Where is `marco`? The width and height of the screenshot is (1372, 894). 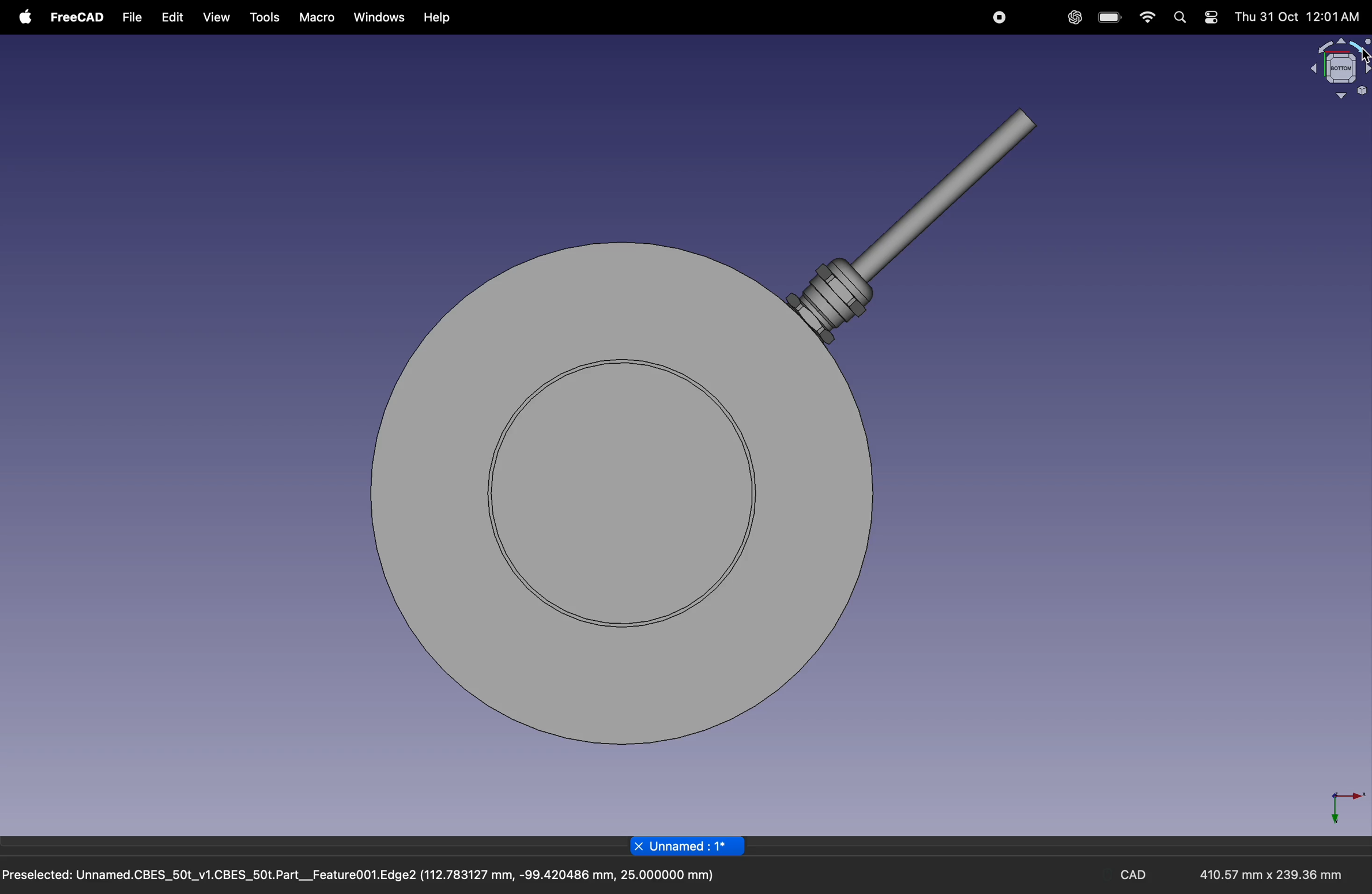
marco is located at coordinates (316, 17).